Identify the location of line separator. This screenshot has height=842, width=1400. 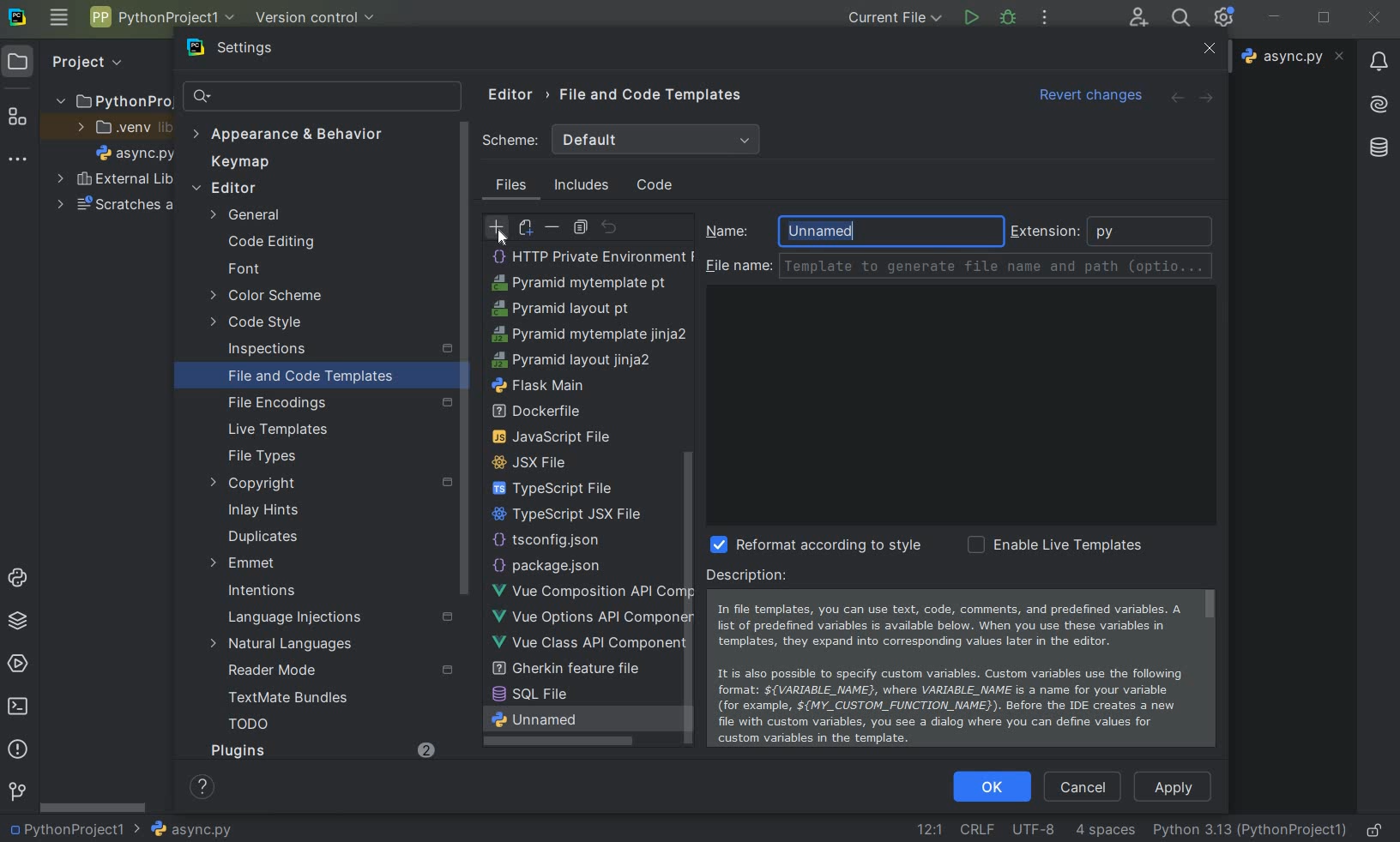
(979, 828).